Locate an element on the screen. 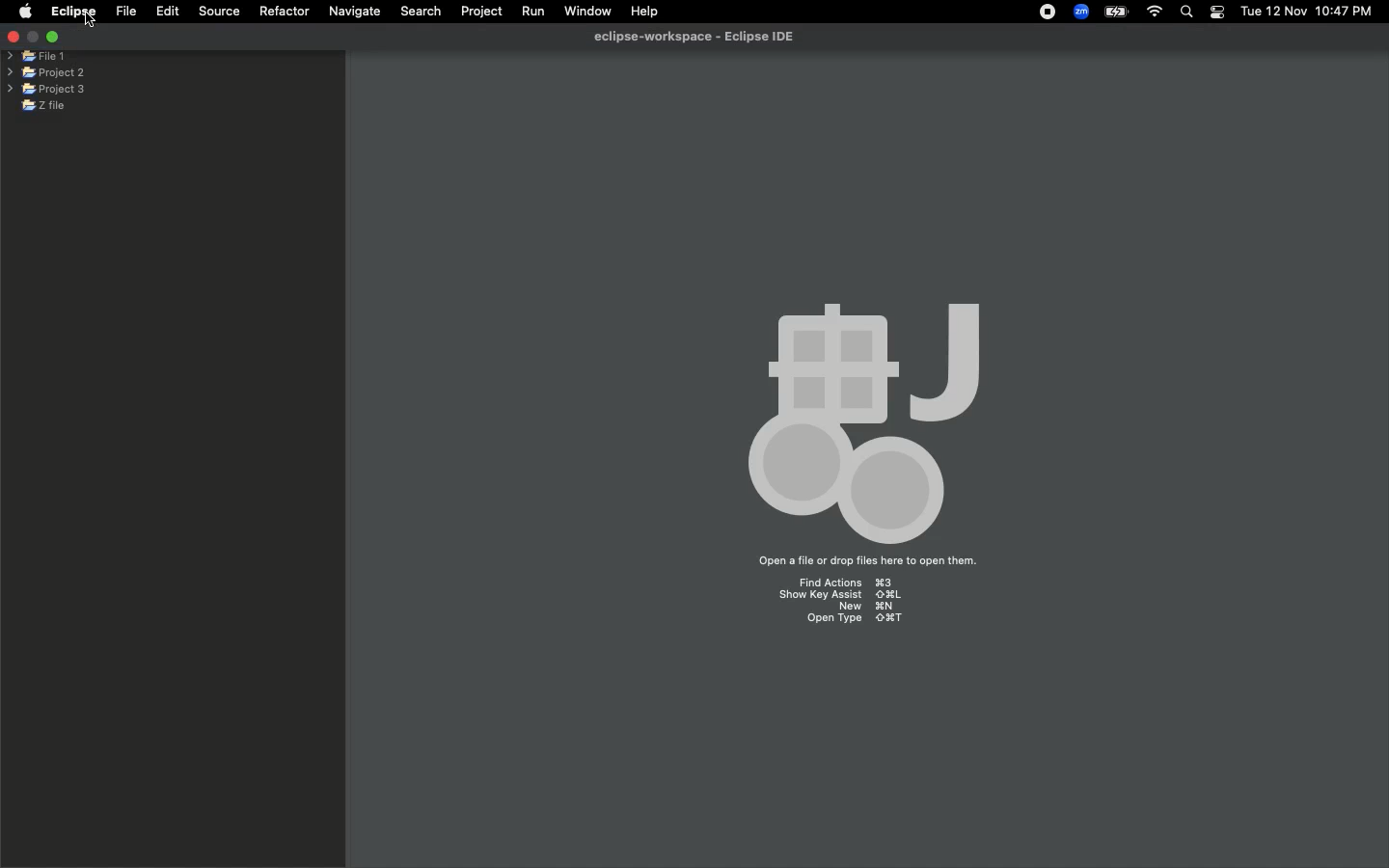 The image size is (1389, 868). Edit is located at coordinates (166, 12).